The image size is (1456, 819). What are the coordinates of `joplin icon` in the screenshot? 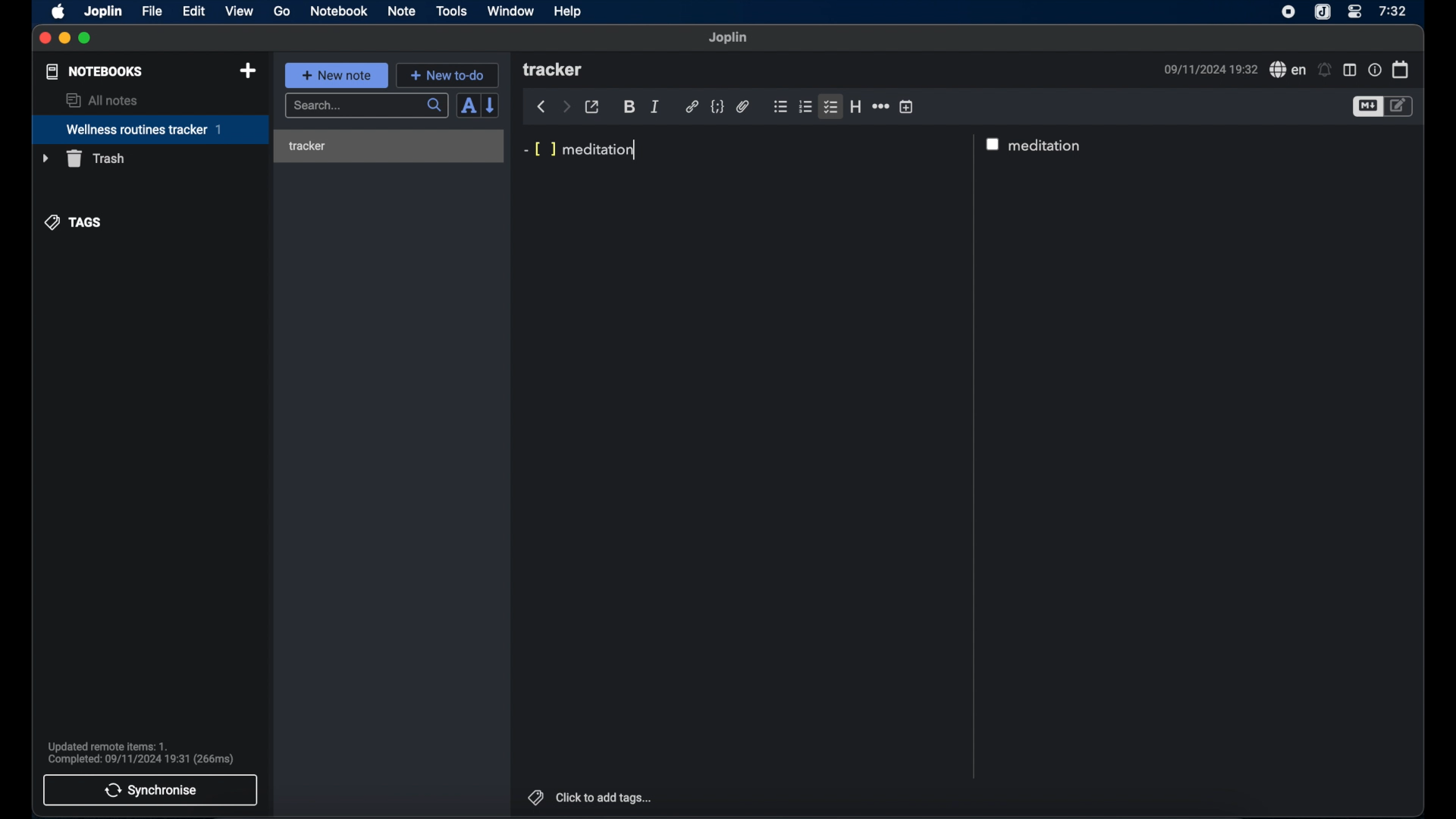 It's located at (1323, 12).